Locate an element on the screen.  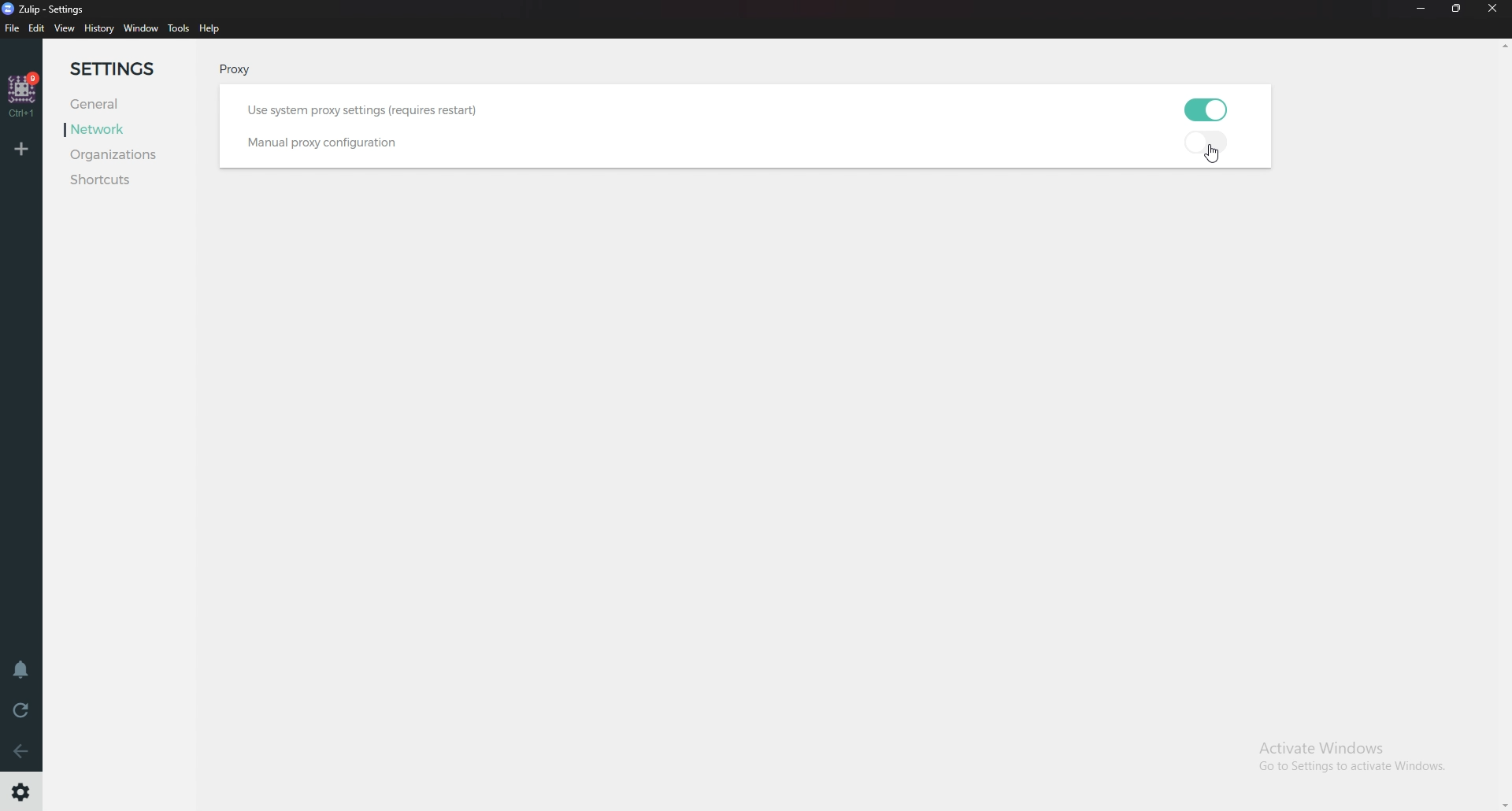
Tools is located at coordinates (179, 28).